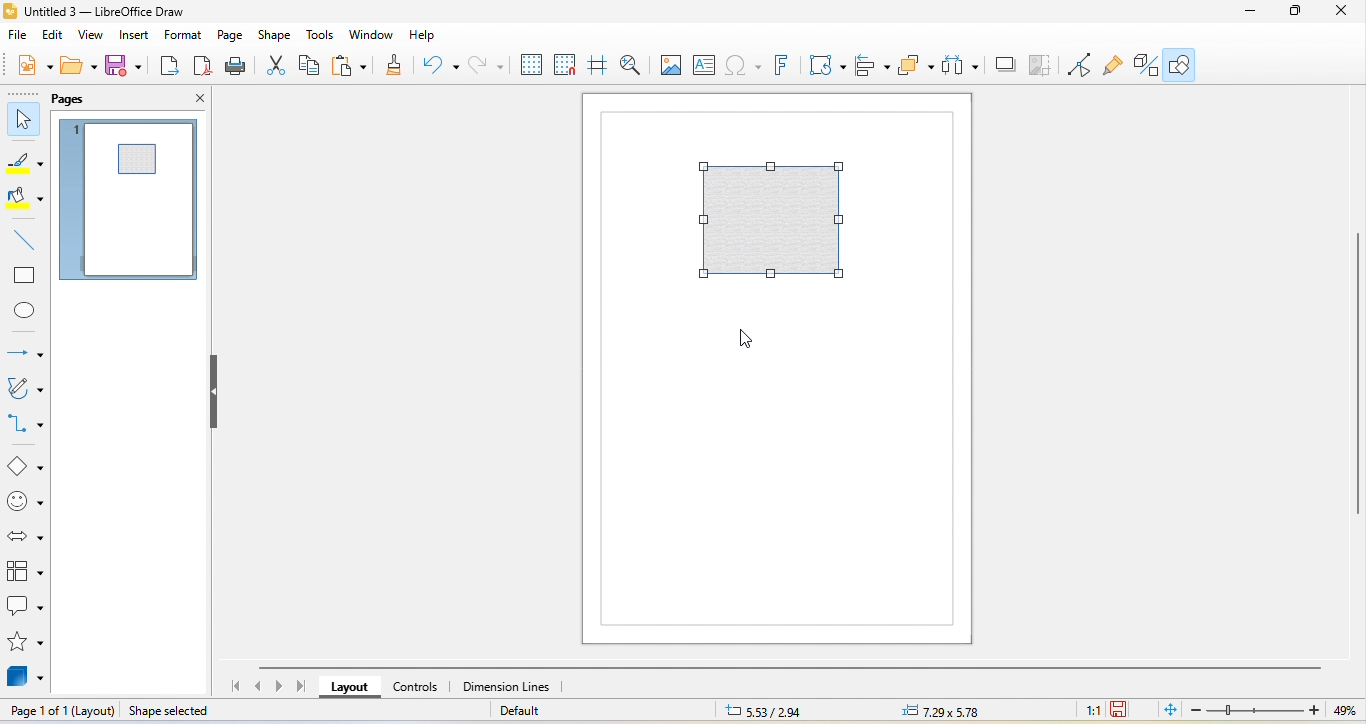 The image size is (1366, 724). I want to click on redo, so click(487, 67).